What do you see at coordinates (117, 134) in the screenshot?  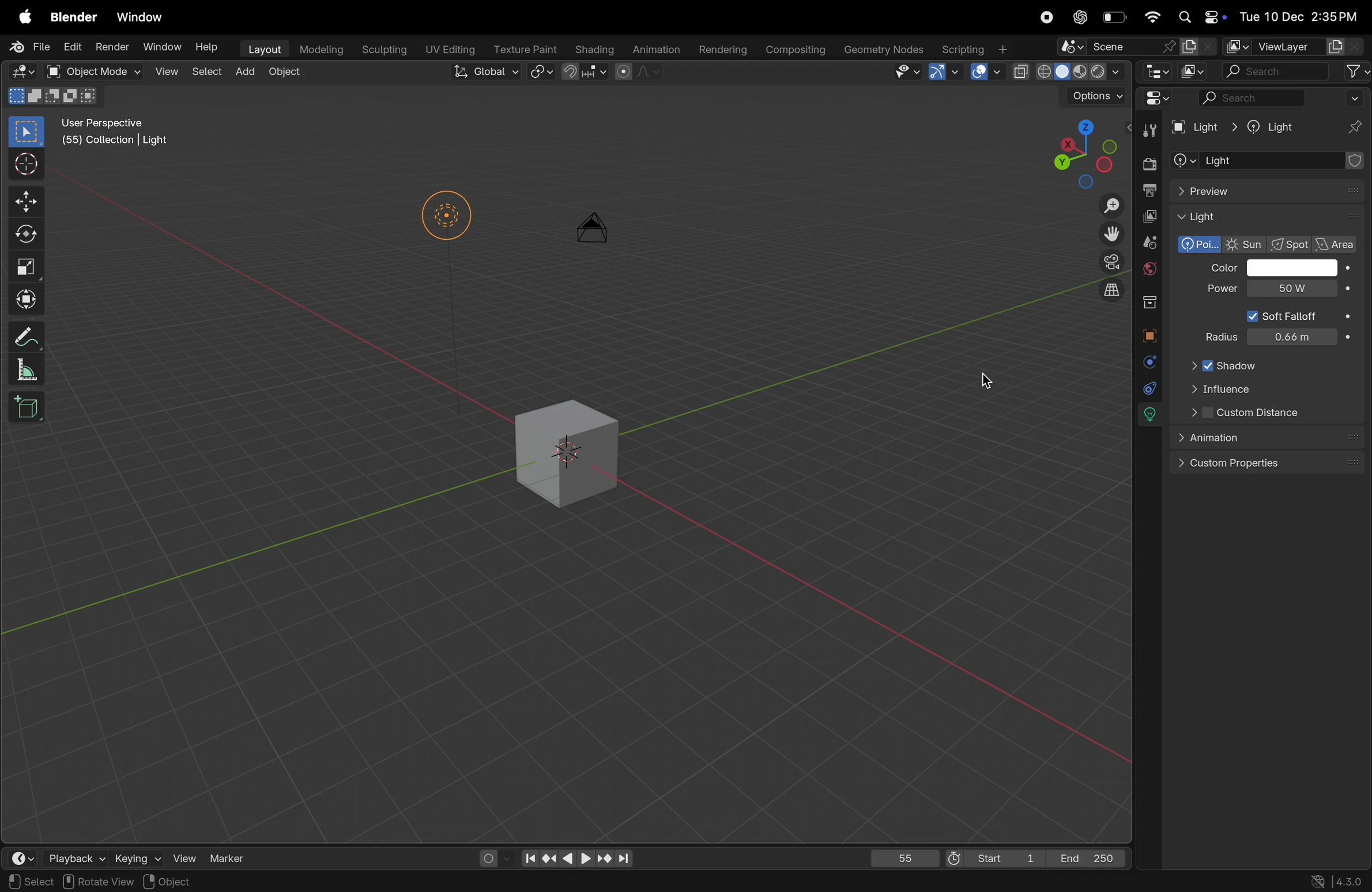 I see `User perspective` at bounding box center [117, 134].